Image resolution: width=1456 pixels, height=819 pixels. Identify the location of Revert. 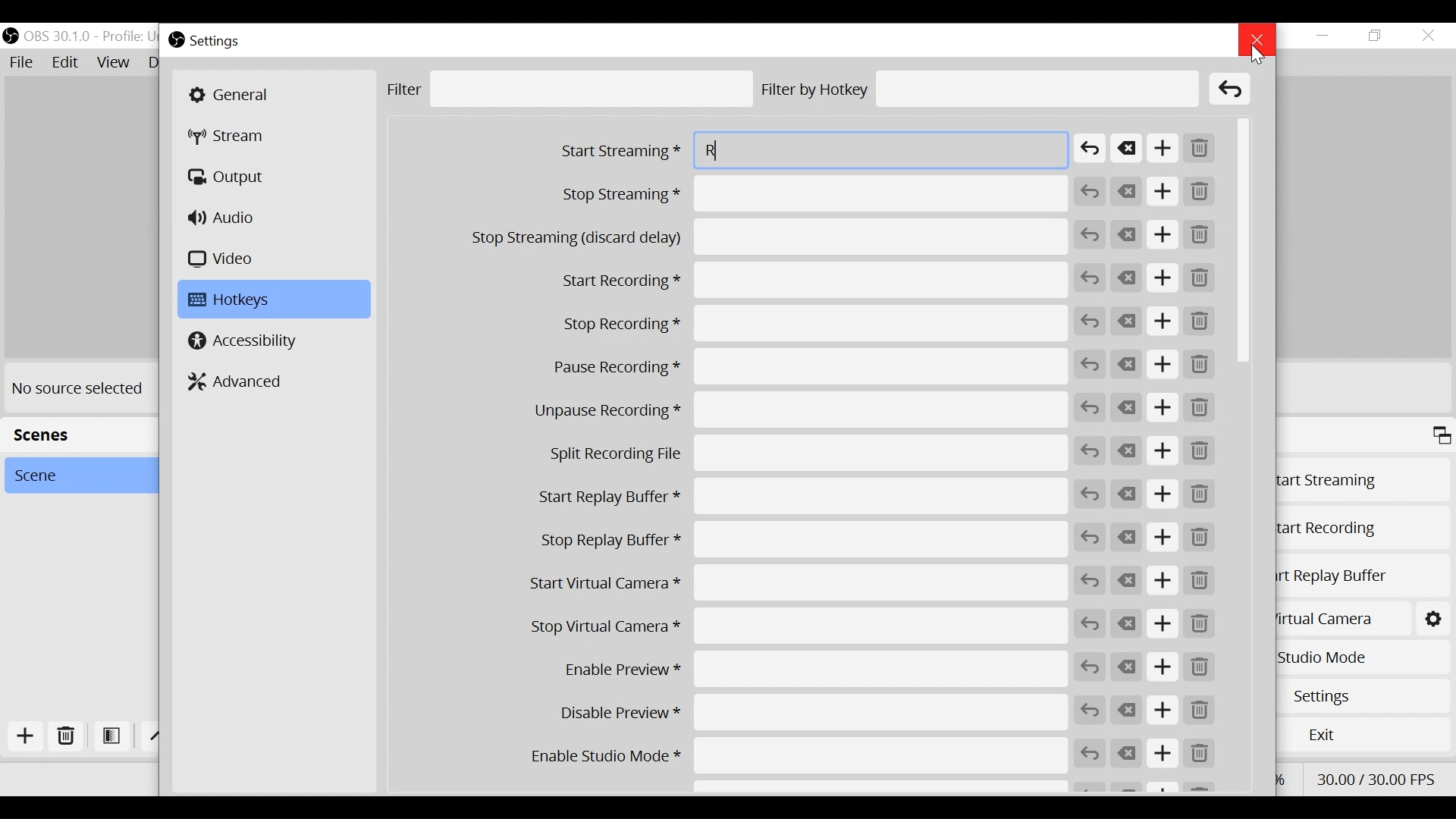
(1090, 538).